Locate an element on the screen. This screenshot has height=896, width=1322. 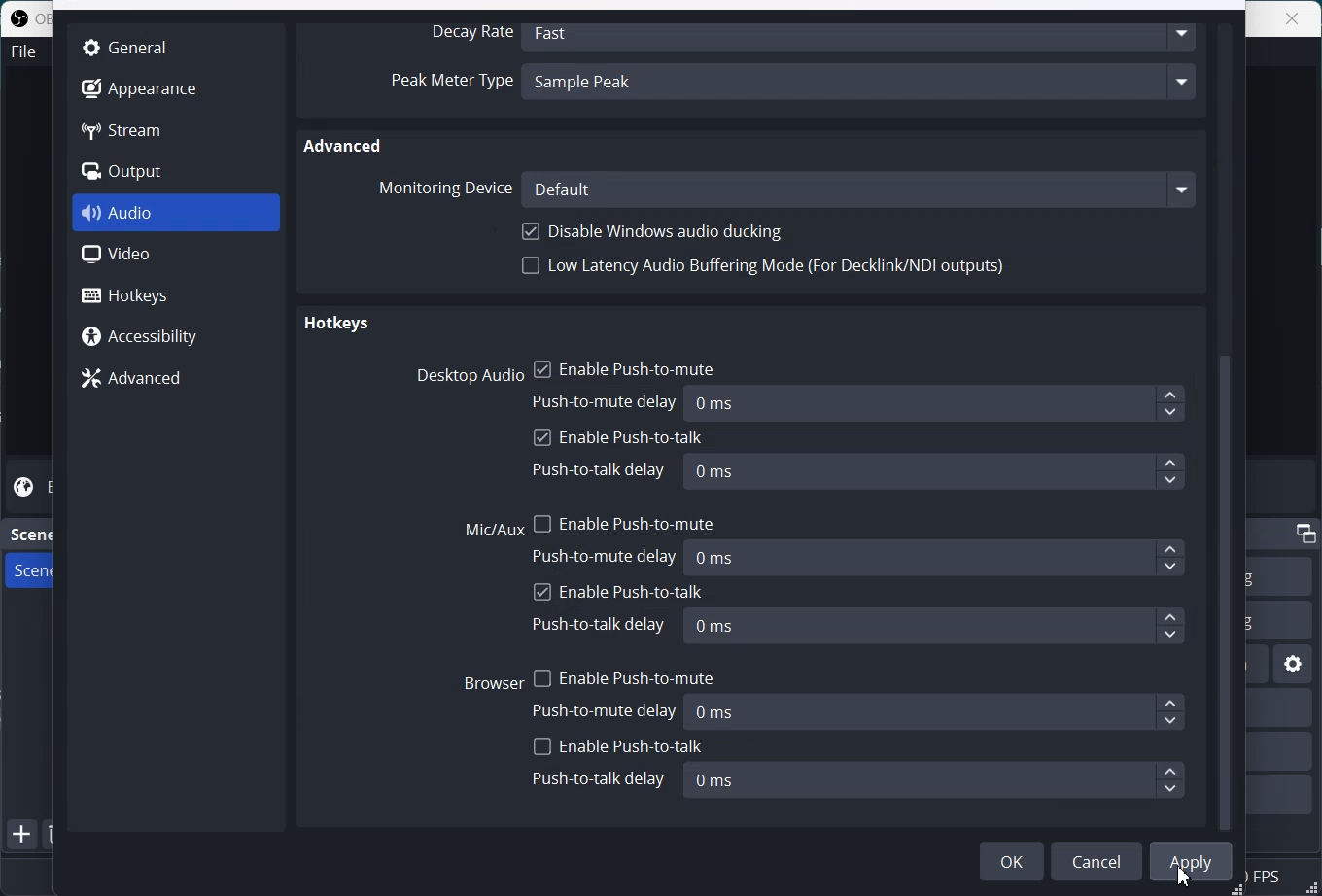
Push-to-mute is located at coordinates (608, 556).